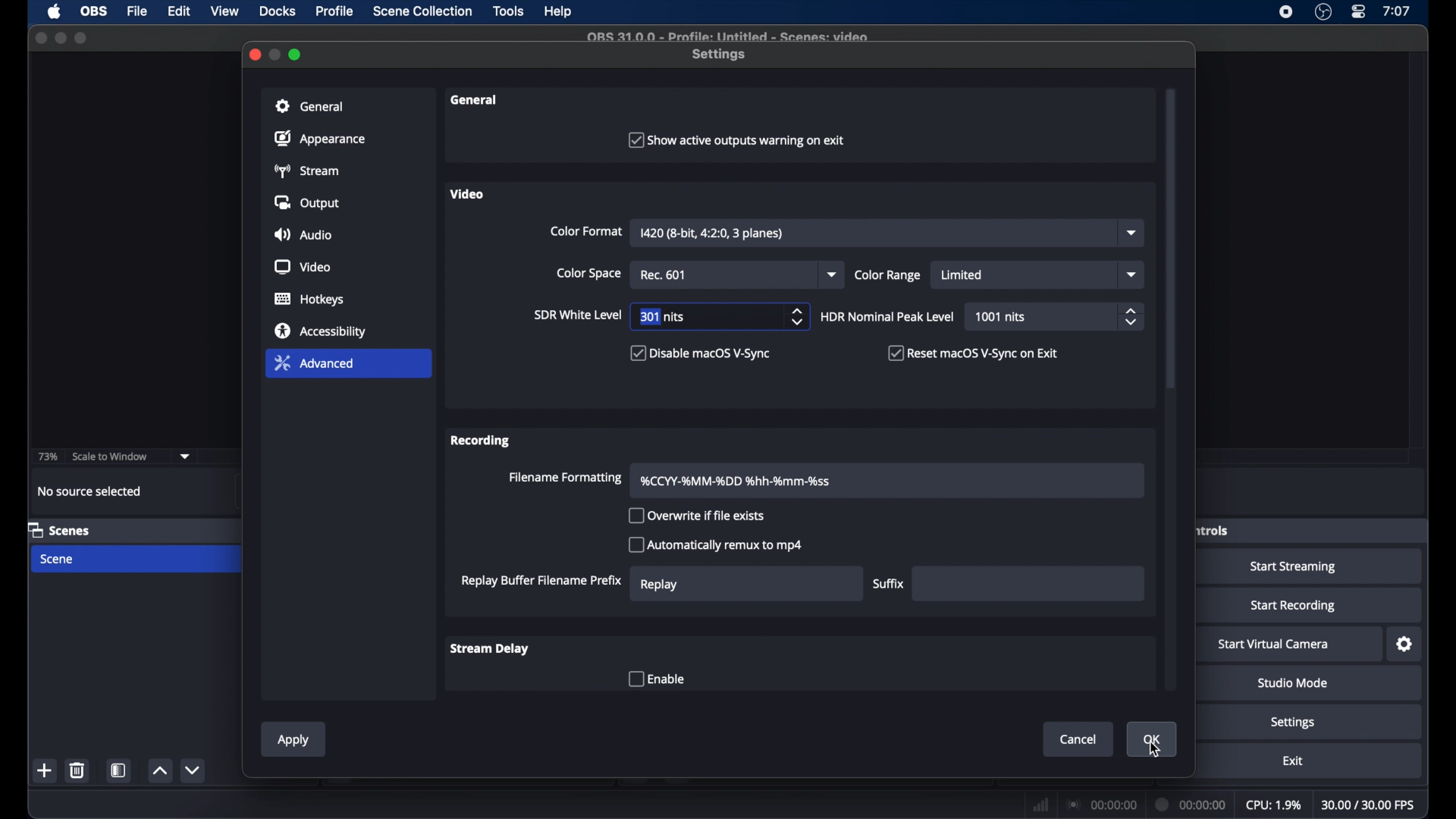 The image size is (1456, 819). What do you see at coordinates (422, 11) in the screenshot?
I see `scene collection` at bounding box center [422, 11].